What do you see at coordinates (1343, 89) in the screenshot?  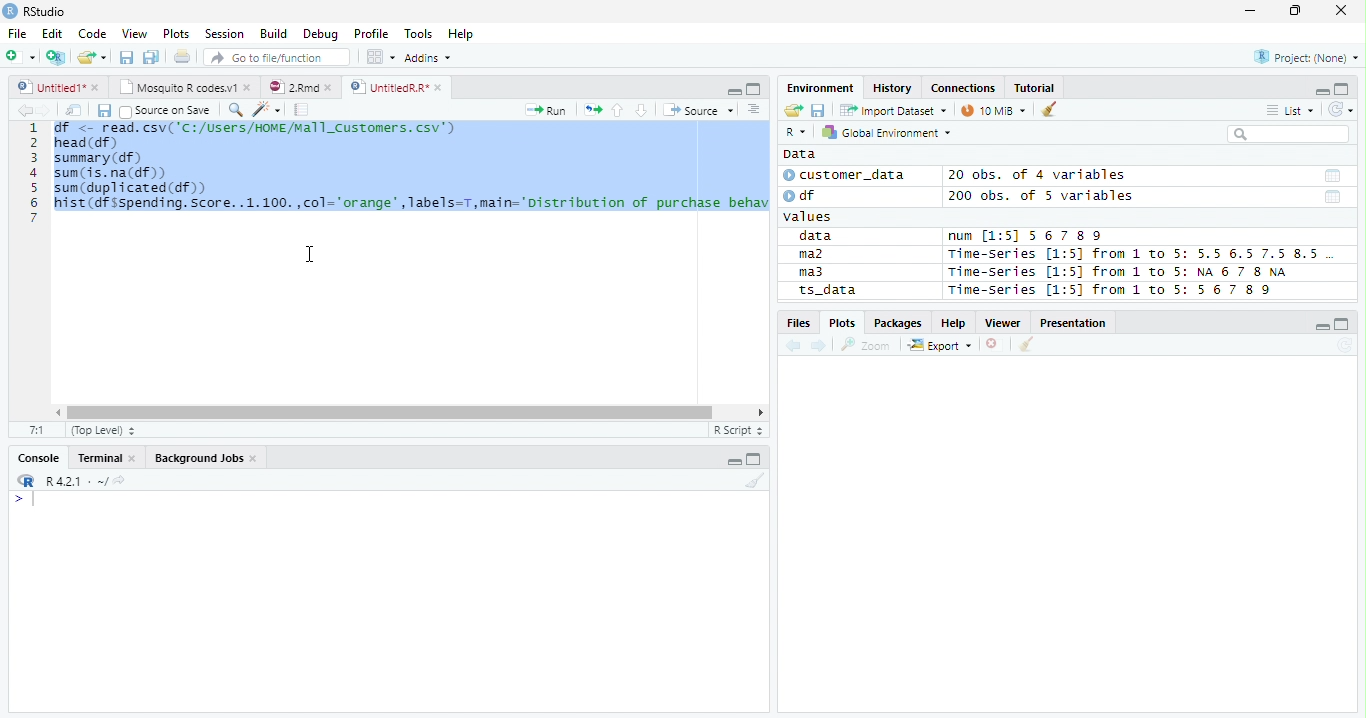 I see `Maximize` at bounding box center [1343, 89].